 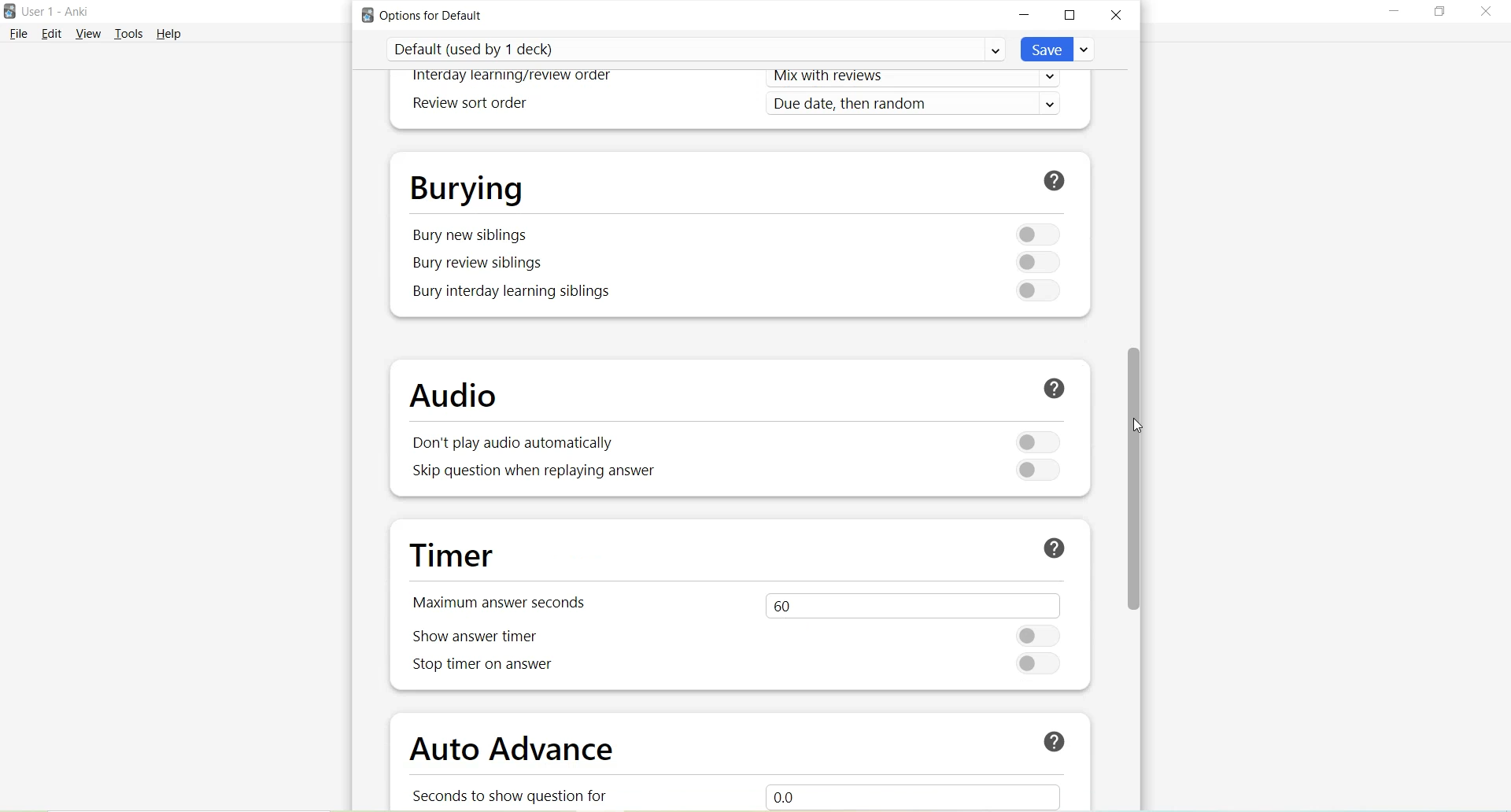 I want to click on Toggle, so click(x=1042, y=635).